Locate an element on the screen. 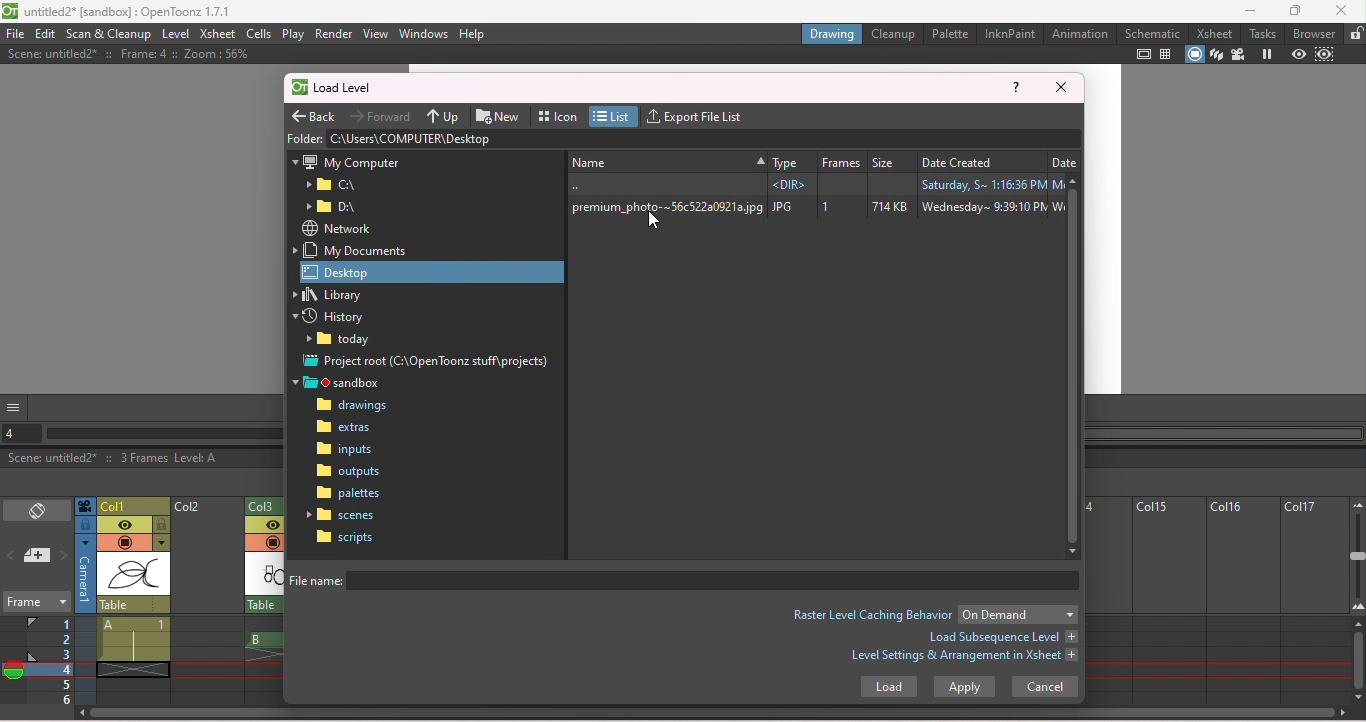 The image size is (1366, 722). Frames is located at coordinates (51, 660).